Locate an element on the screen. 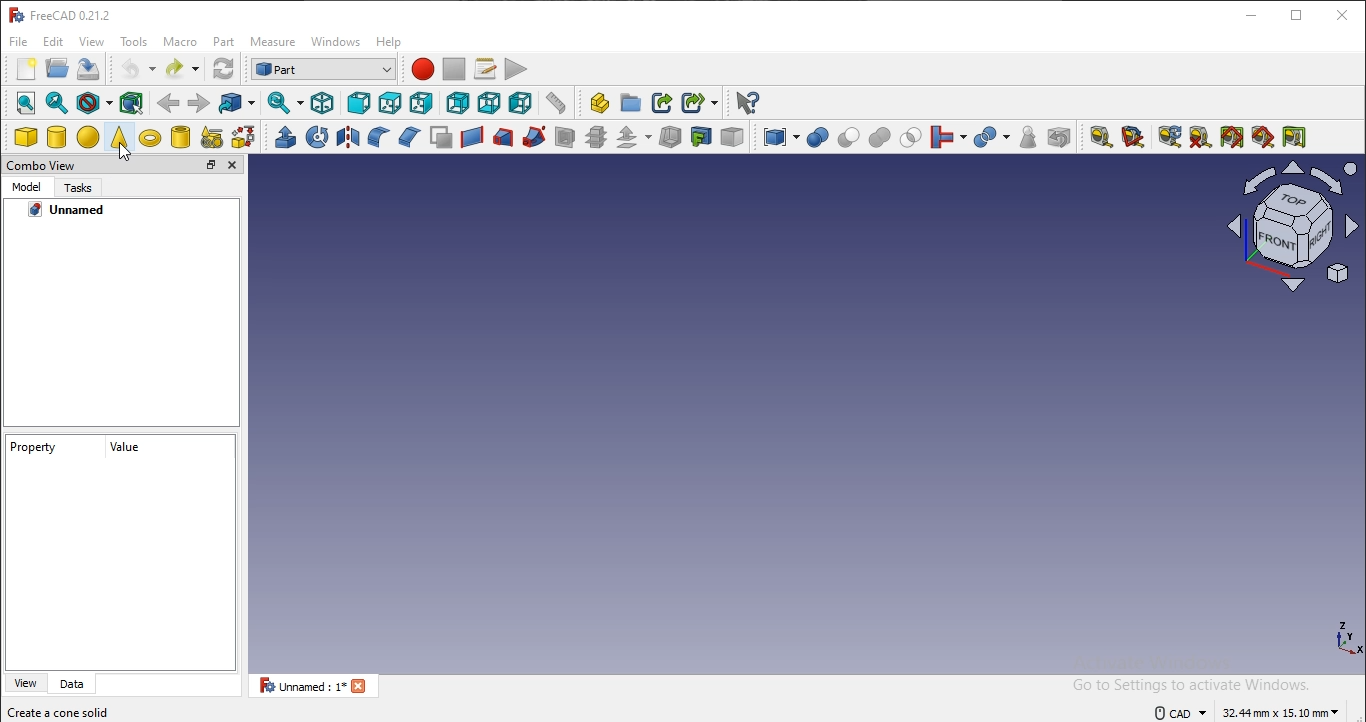 The image size is (1366, 722). view is located at coordinates (93, 40).